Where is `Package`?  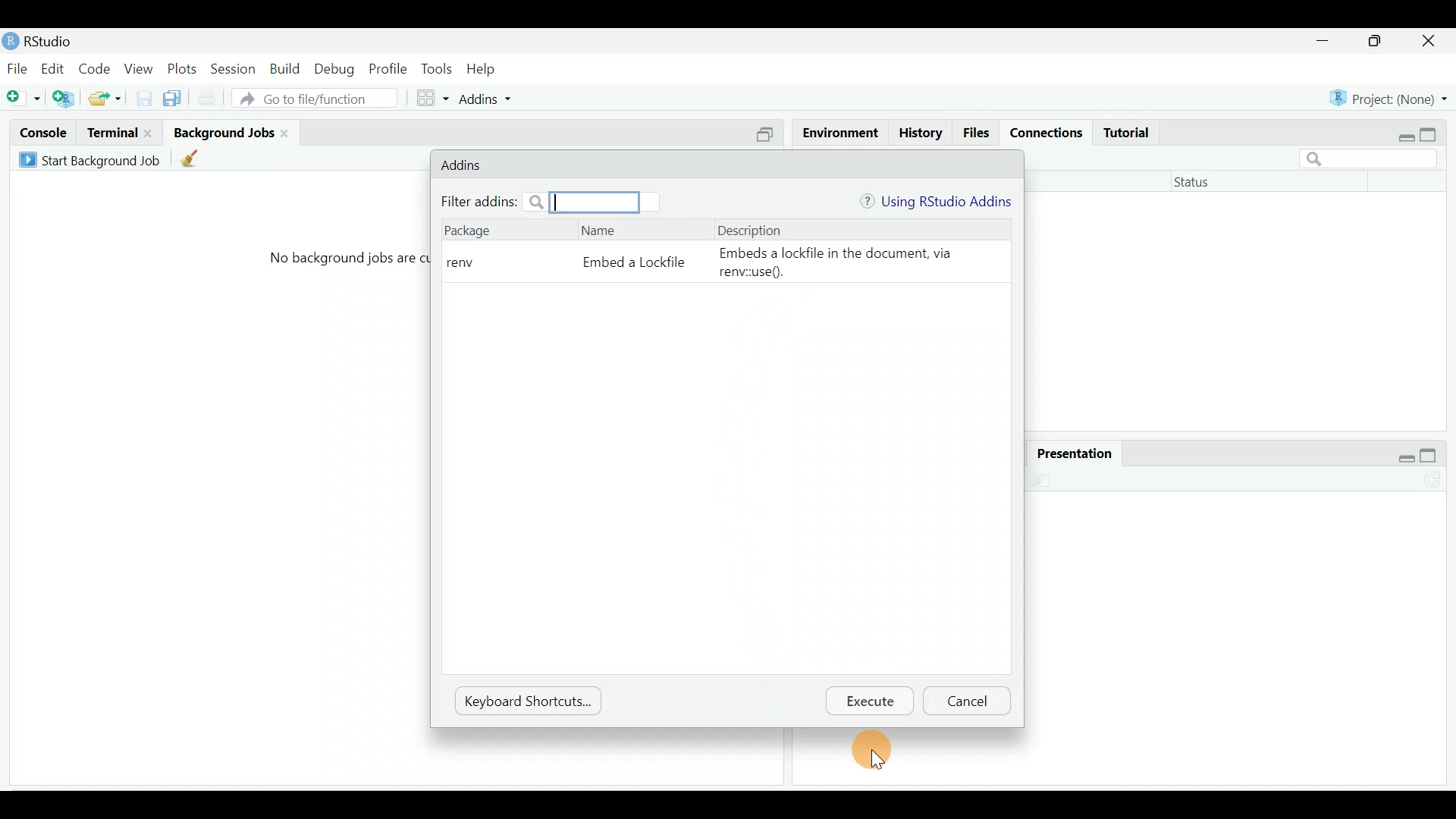
Package is located at coordinates (469, 234).